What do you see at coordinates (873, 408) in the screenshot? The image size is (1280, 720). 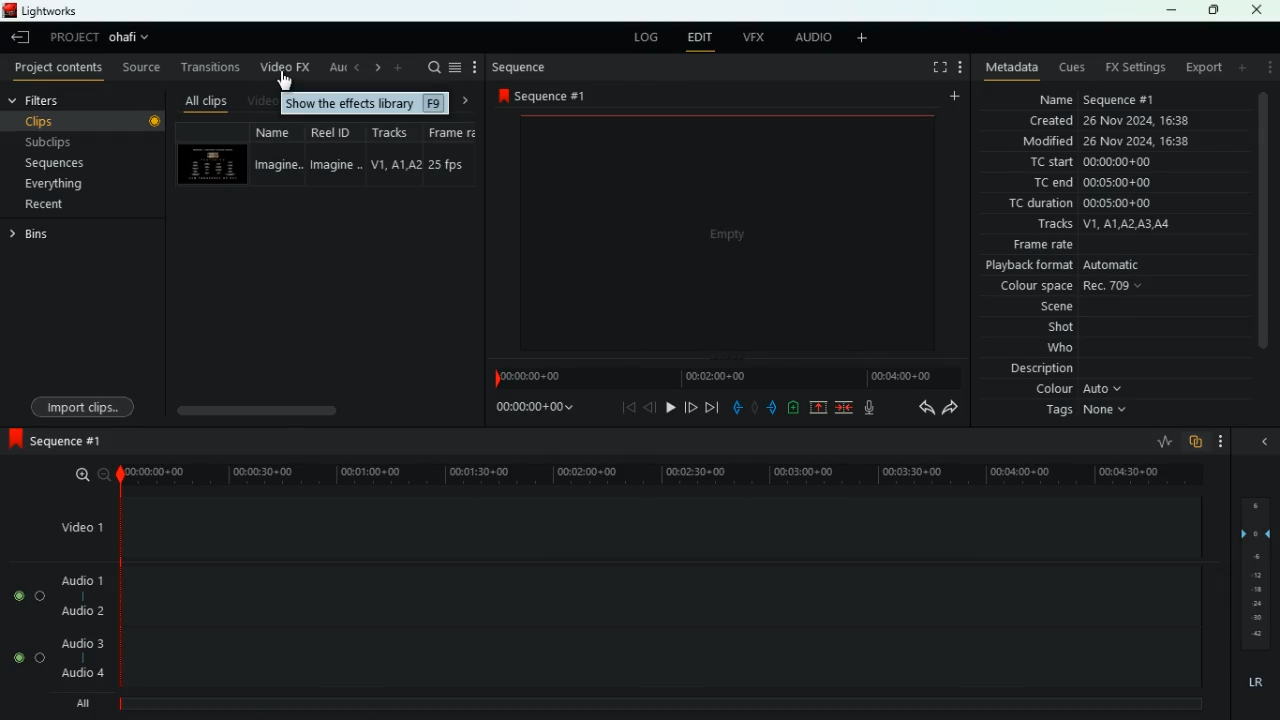 I see `mic` at bounding box center [873, 408].